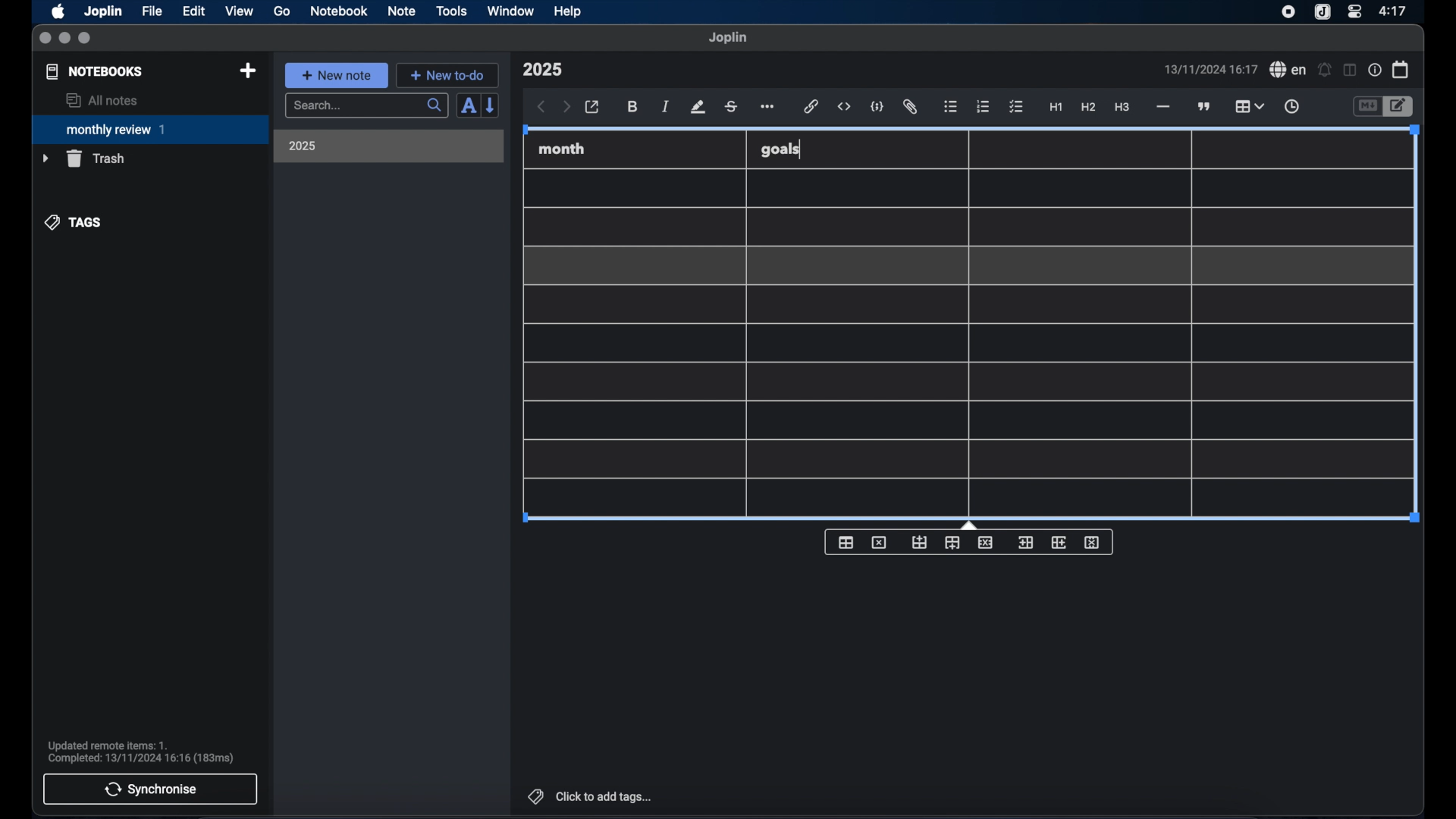 This screenshot has width=1456, height=819. What do you see at coordinates (83, 158) in the screenshot?
I see `trash` at bounding box center [83, 158].